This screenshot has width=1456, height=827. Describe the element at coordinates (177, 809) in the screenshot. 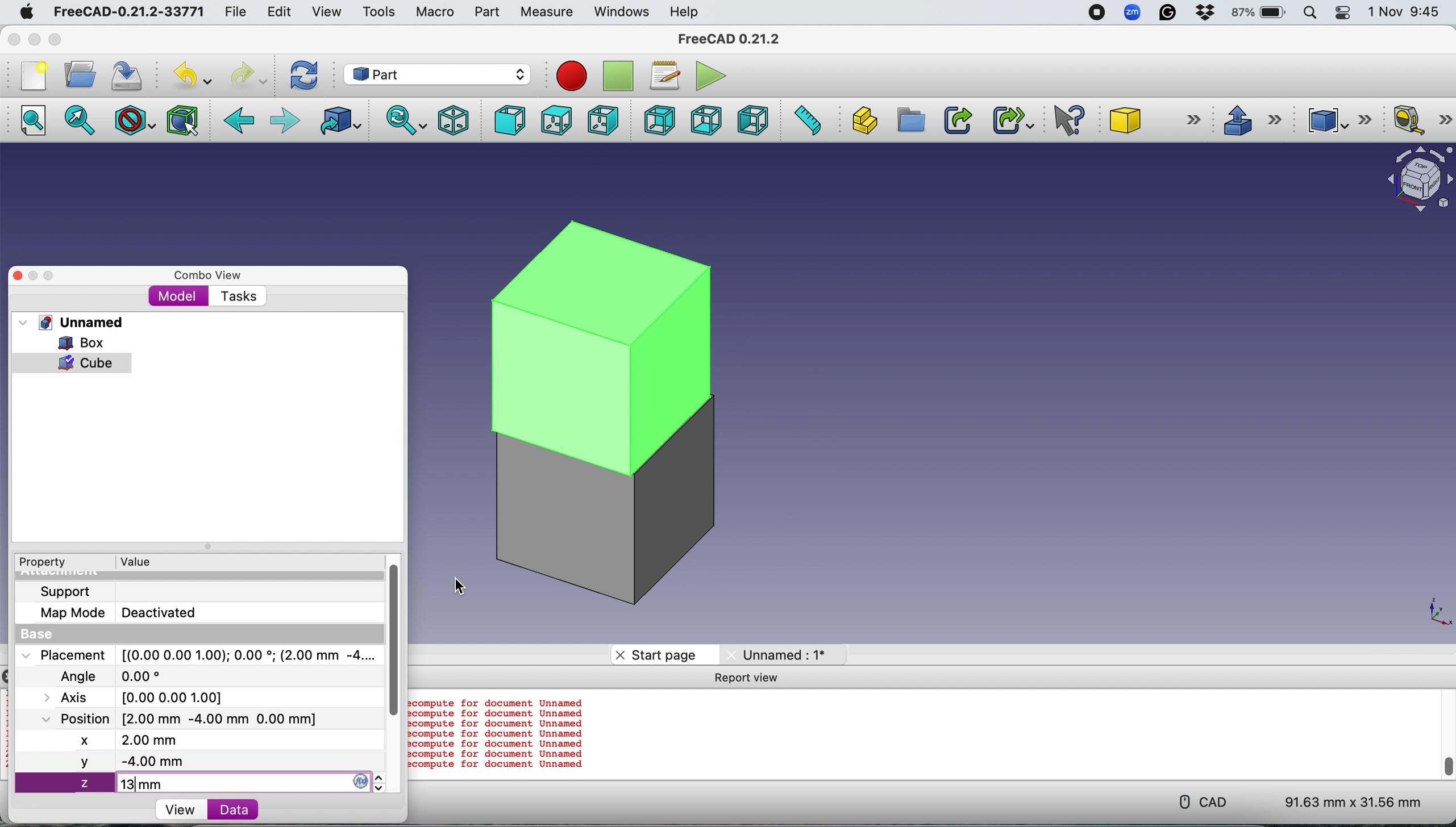

I see `View` at that location.